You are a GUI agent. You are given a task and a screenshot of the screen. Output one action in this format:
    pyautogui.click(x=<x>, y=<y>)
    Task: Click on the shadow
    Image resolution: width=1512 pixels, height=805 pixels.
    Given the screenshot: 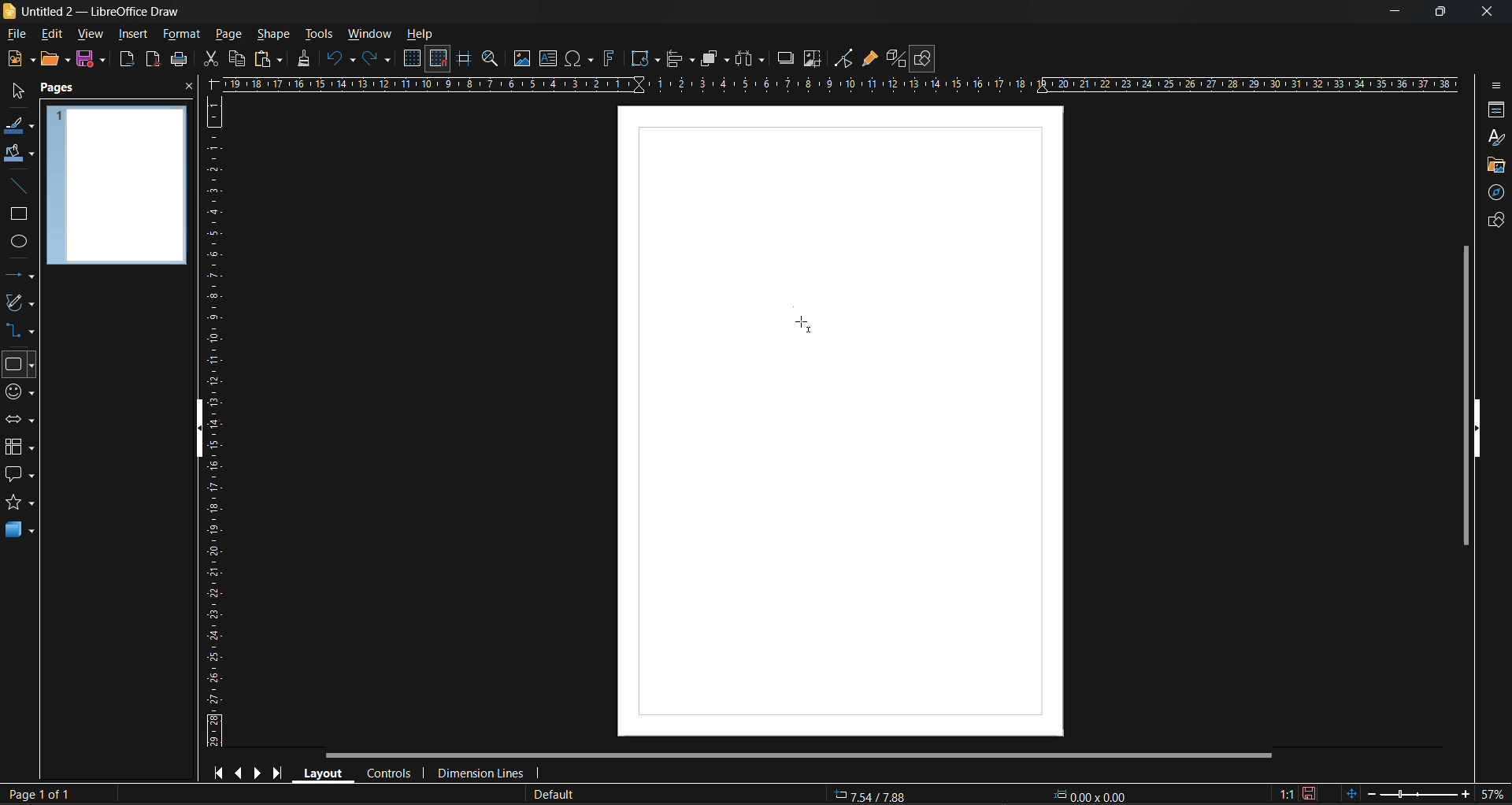 What is the action you would take?
    pyautogui.click(x=787, y=58)
    